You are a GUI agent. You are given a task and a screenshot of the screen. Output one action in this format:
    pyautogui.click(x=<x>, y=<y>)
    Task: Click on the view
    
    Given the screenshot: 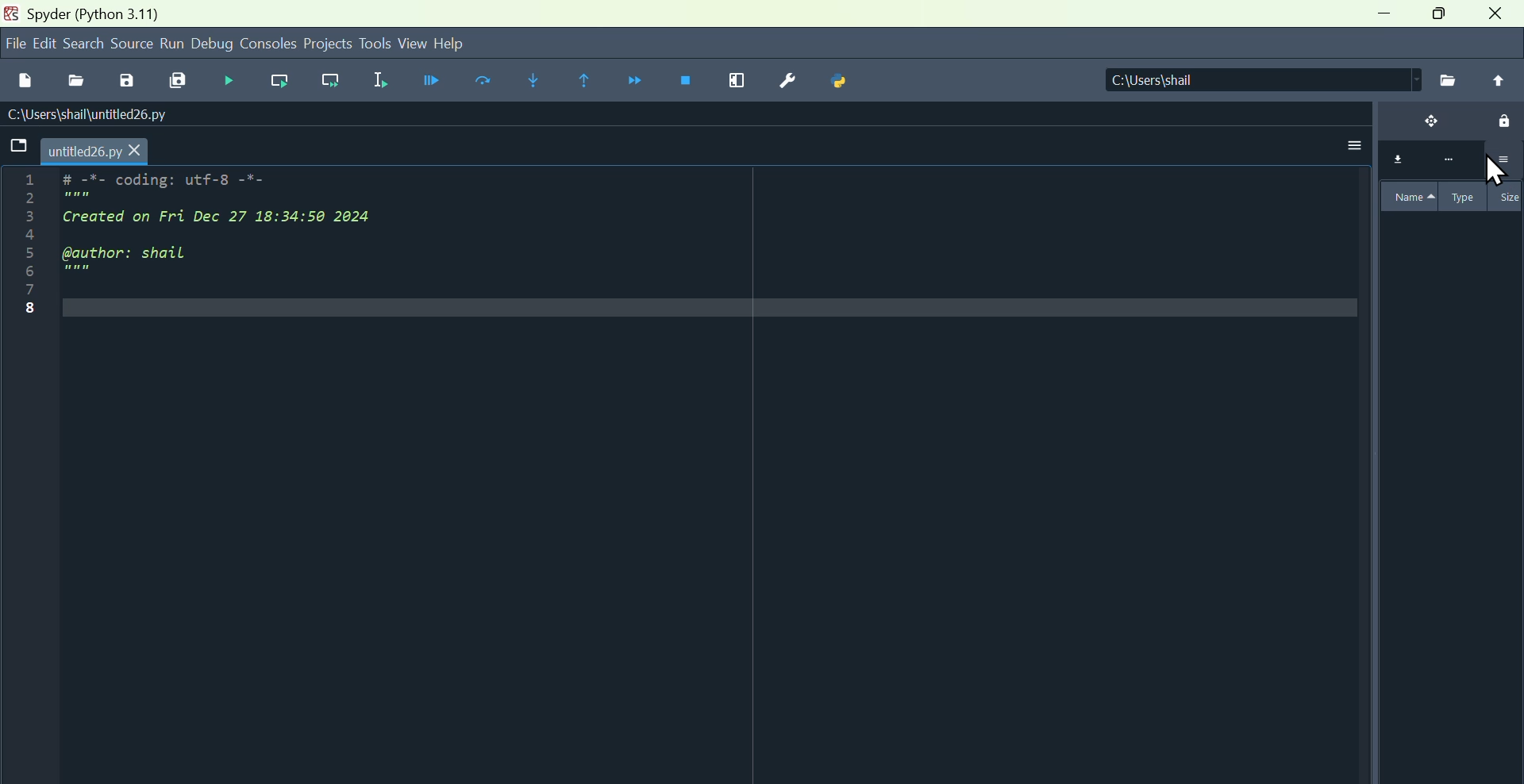 What is the action you would take?
    pyautogui.click(x=412, y=44)
    